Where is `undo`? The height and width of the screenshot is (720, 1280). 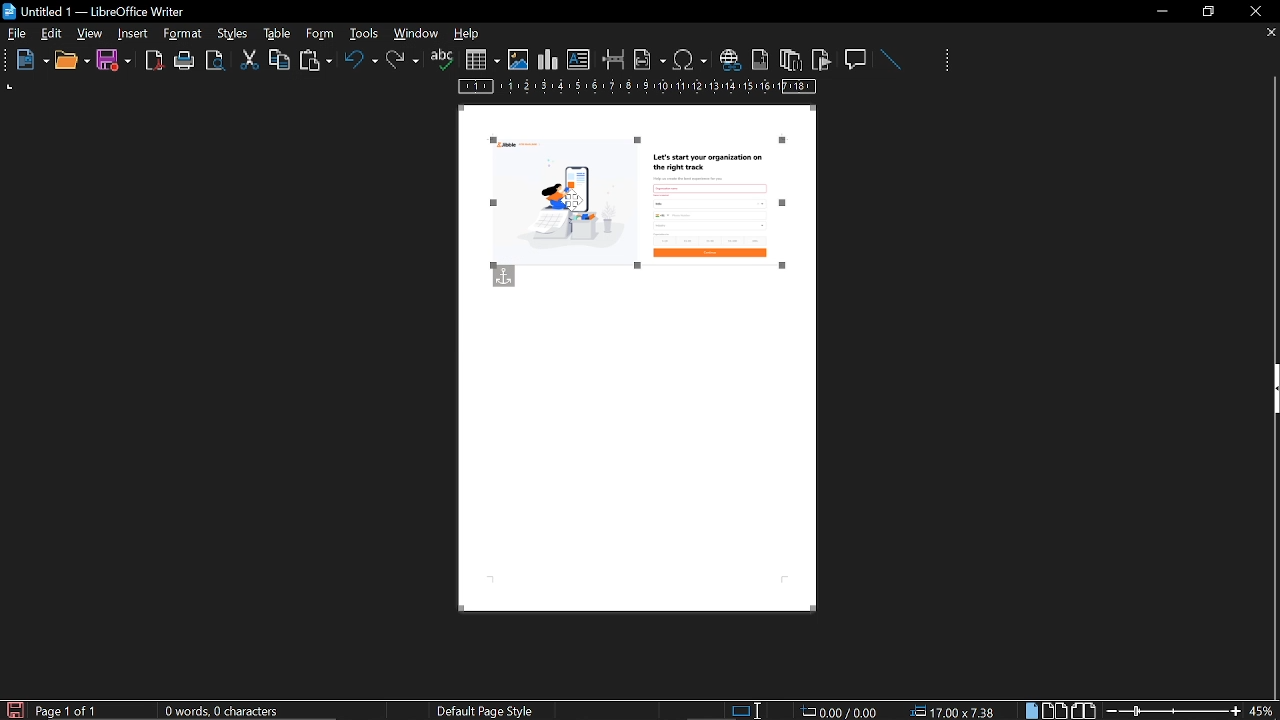
undo is located at coordinates (361, 63).